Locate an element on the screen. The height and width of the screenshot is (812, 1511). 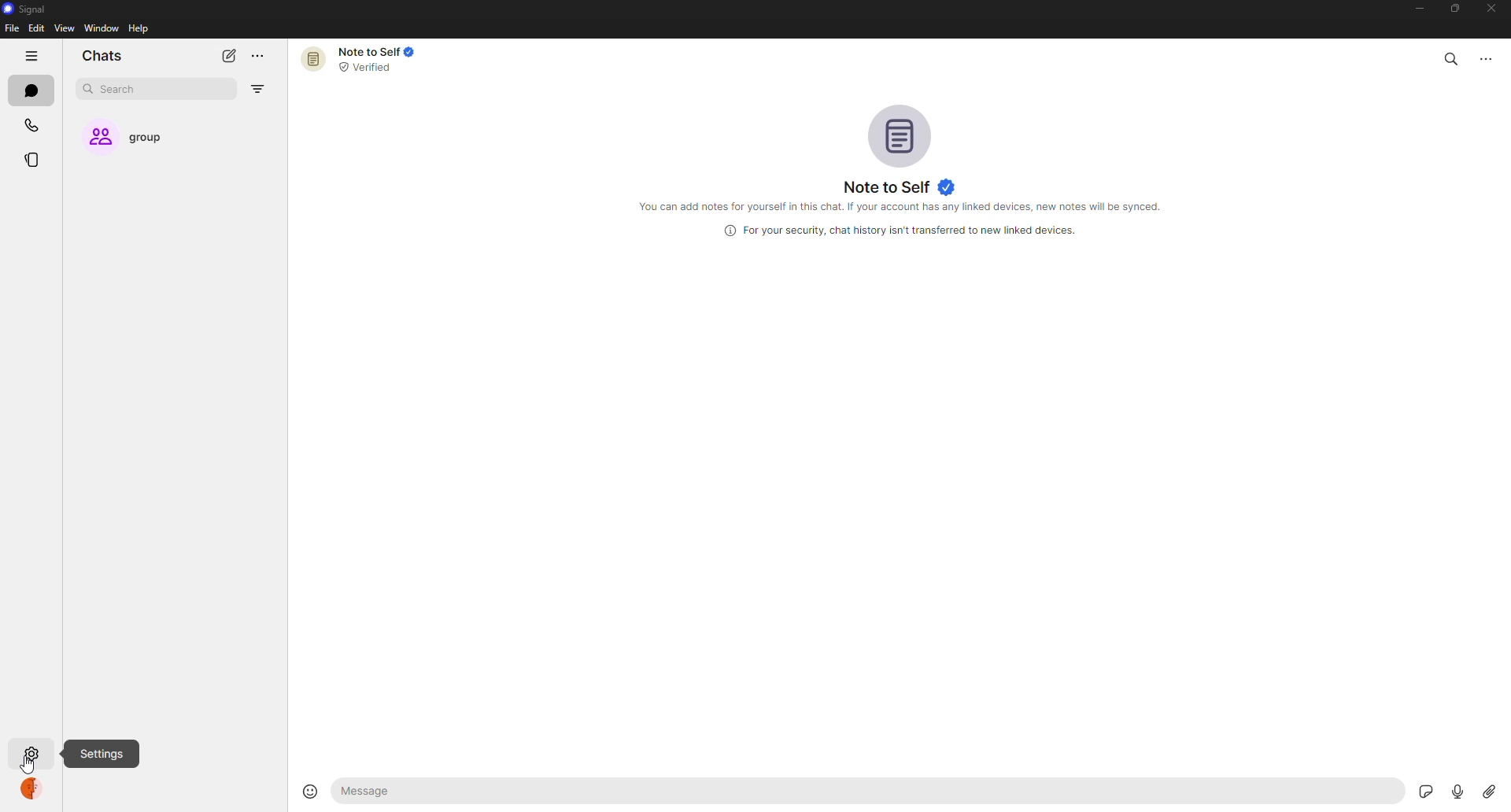
close is located at coordinates (1494, 9).